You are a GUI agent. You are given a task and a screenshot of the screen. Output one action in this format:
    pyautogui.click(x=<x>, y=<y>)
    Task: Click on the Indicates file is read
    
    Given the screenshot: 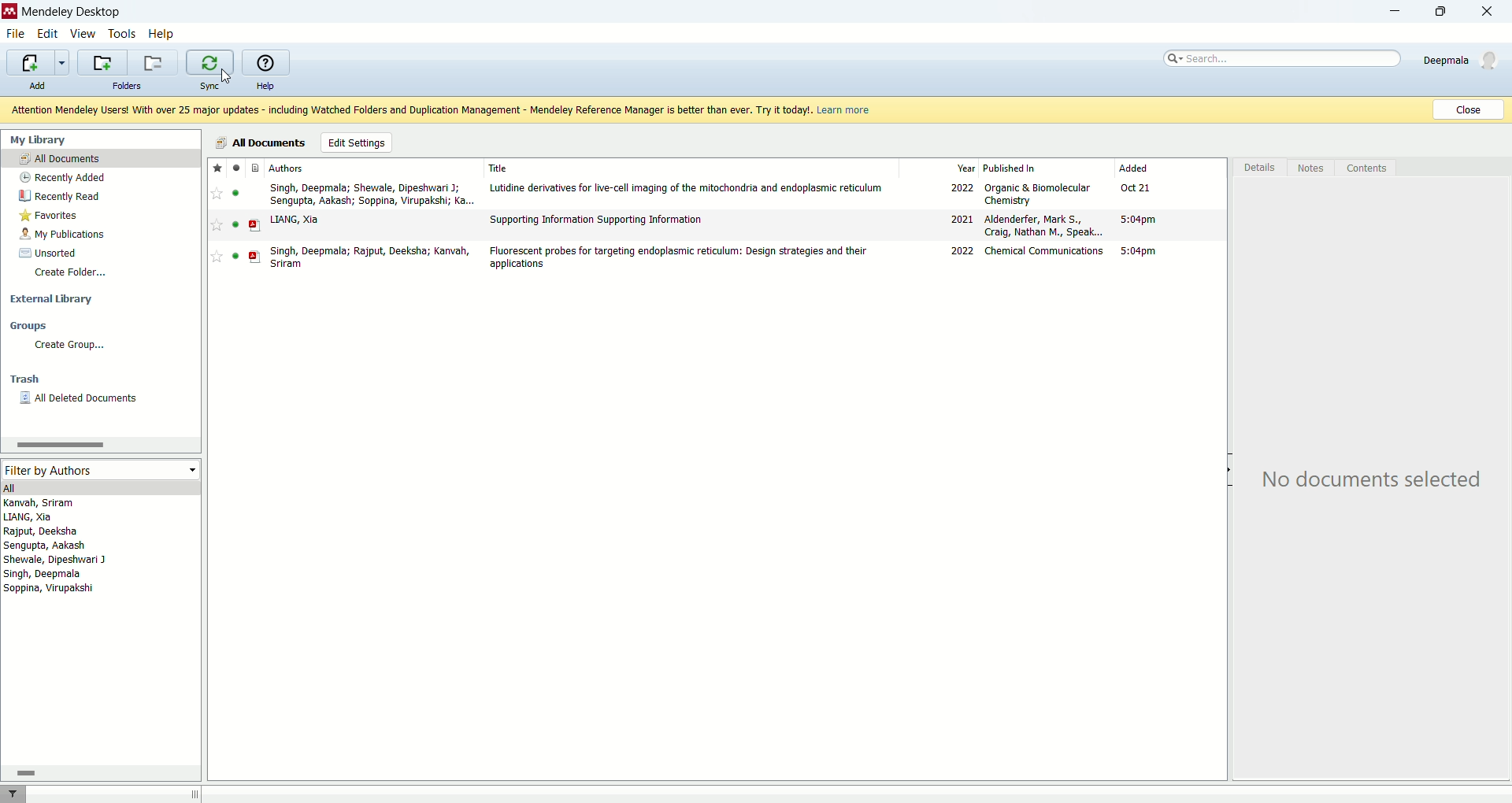 What is the action you would take?
    pyautogui.click(x=235, y=225)
    